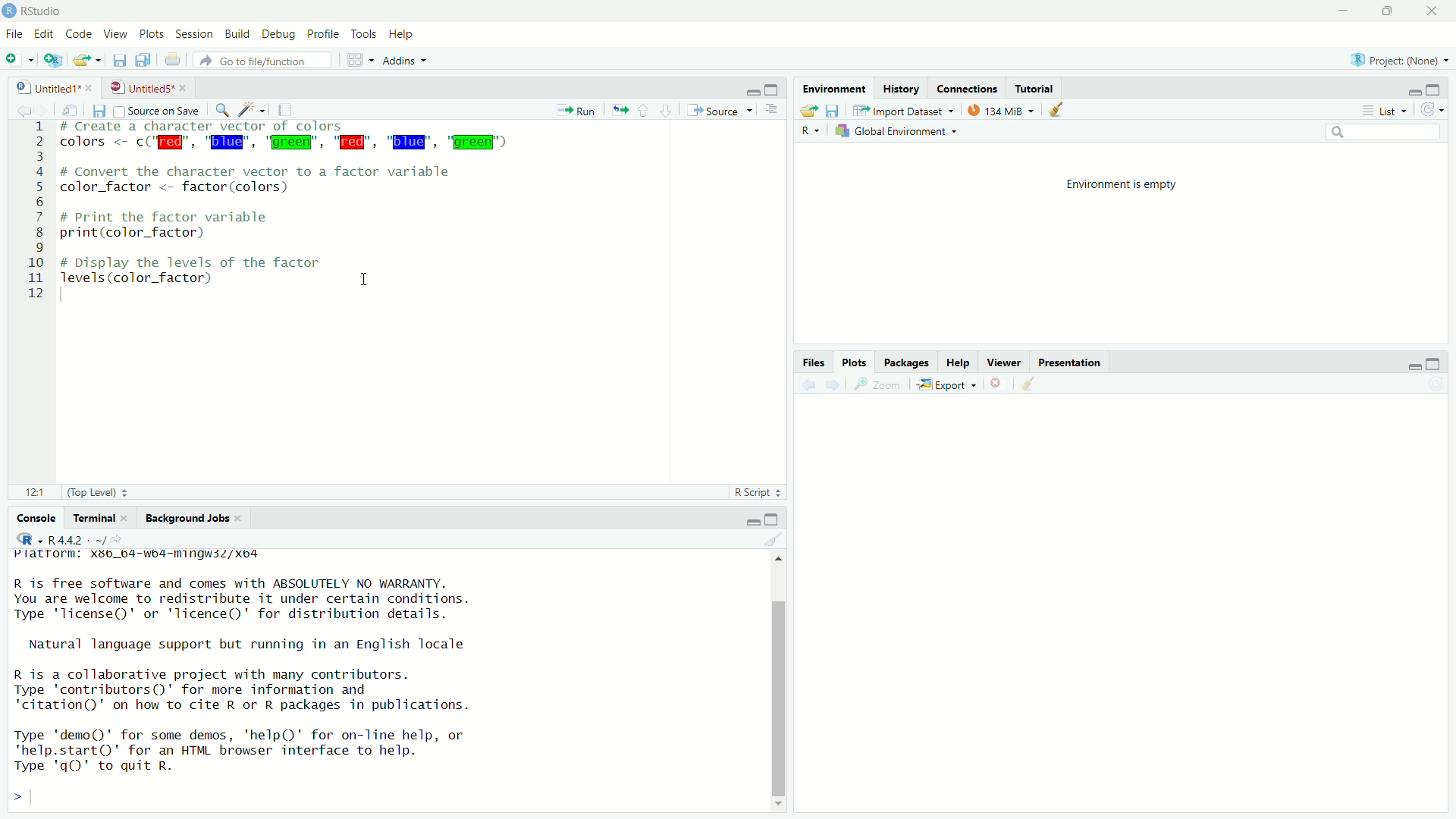 Image resolution: width=1456 pixels, height=819 pixels. I want to click on next plot, so click(831, 384).